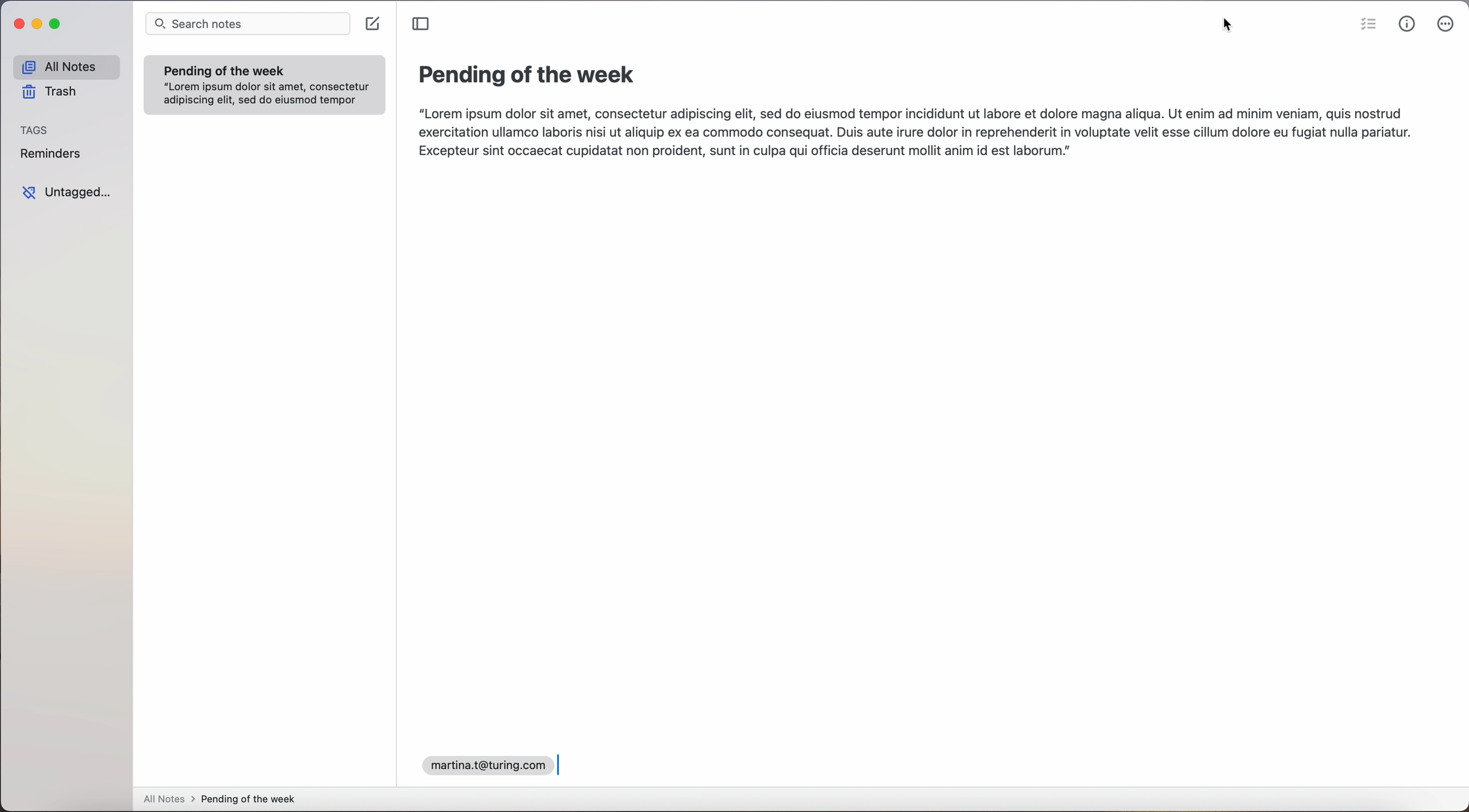 Image resolution: width=1469 pixels, height=812 pixels. I want to click on minimize app, so click(38, 24).